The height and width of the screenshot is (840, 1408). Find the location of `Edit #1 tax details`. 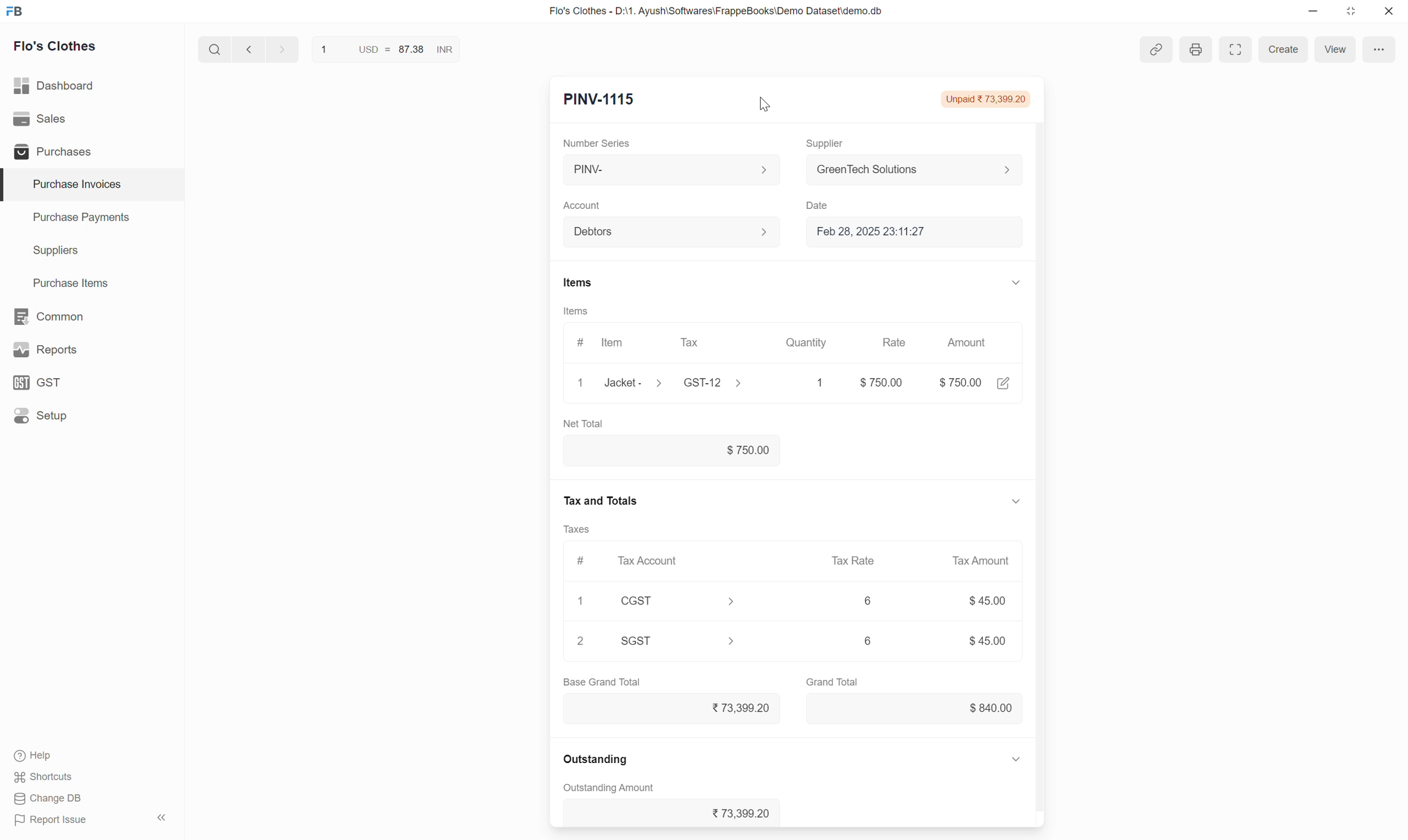

Edit #1 tax details is located at coordinates (731, 602).